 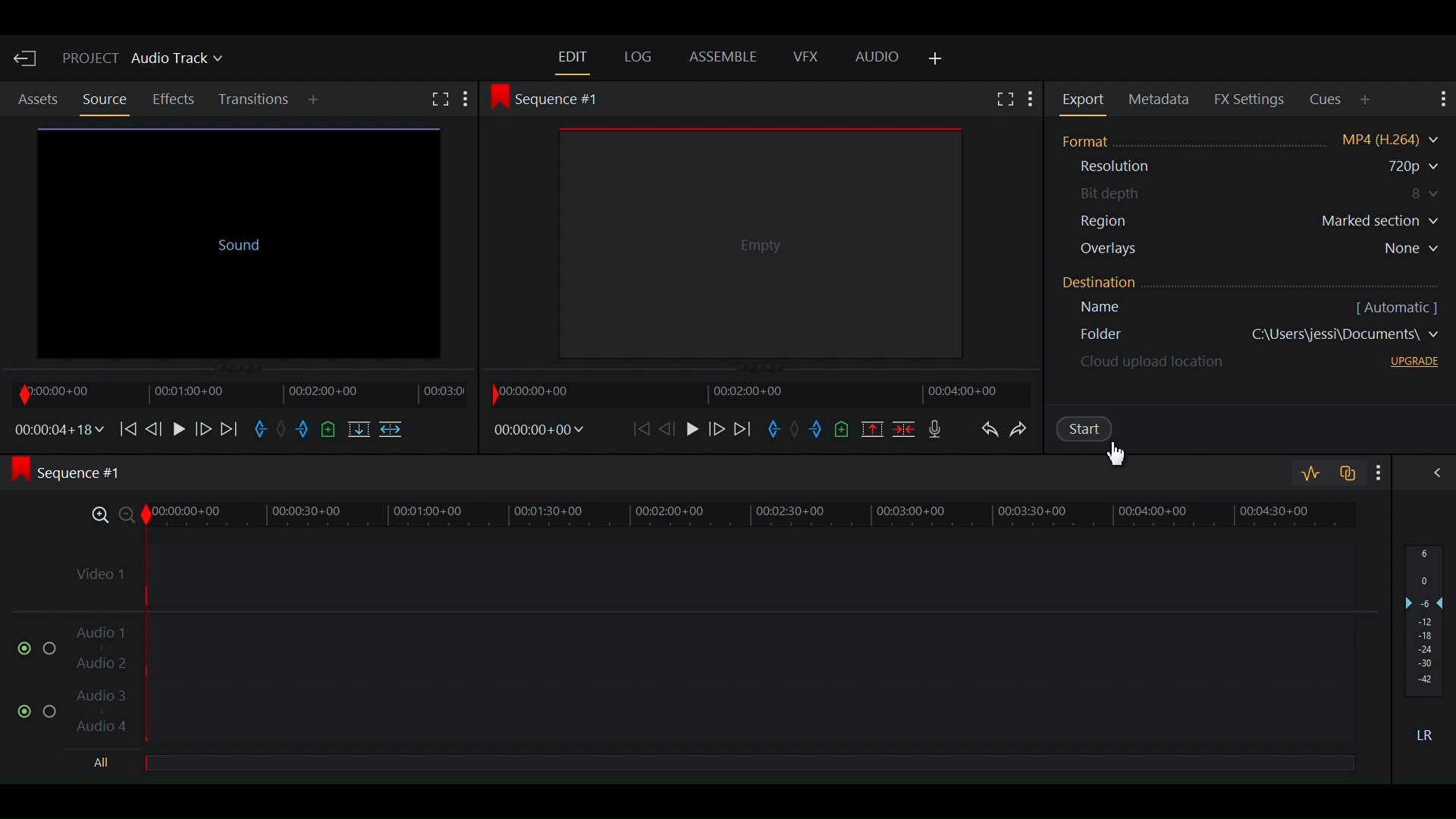 I want to click on Bit Depth, so click(x=1259, y=194).